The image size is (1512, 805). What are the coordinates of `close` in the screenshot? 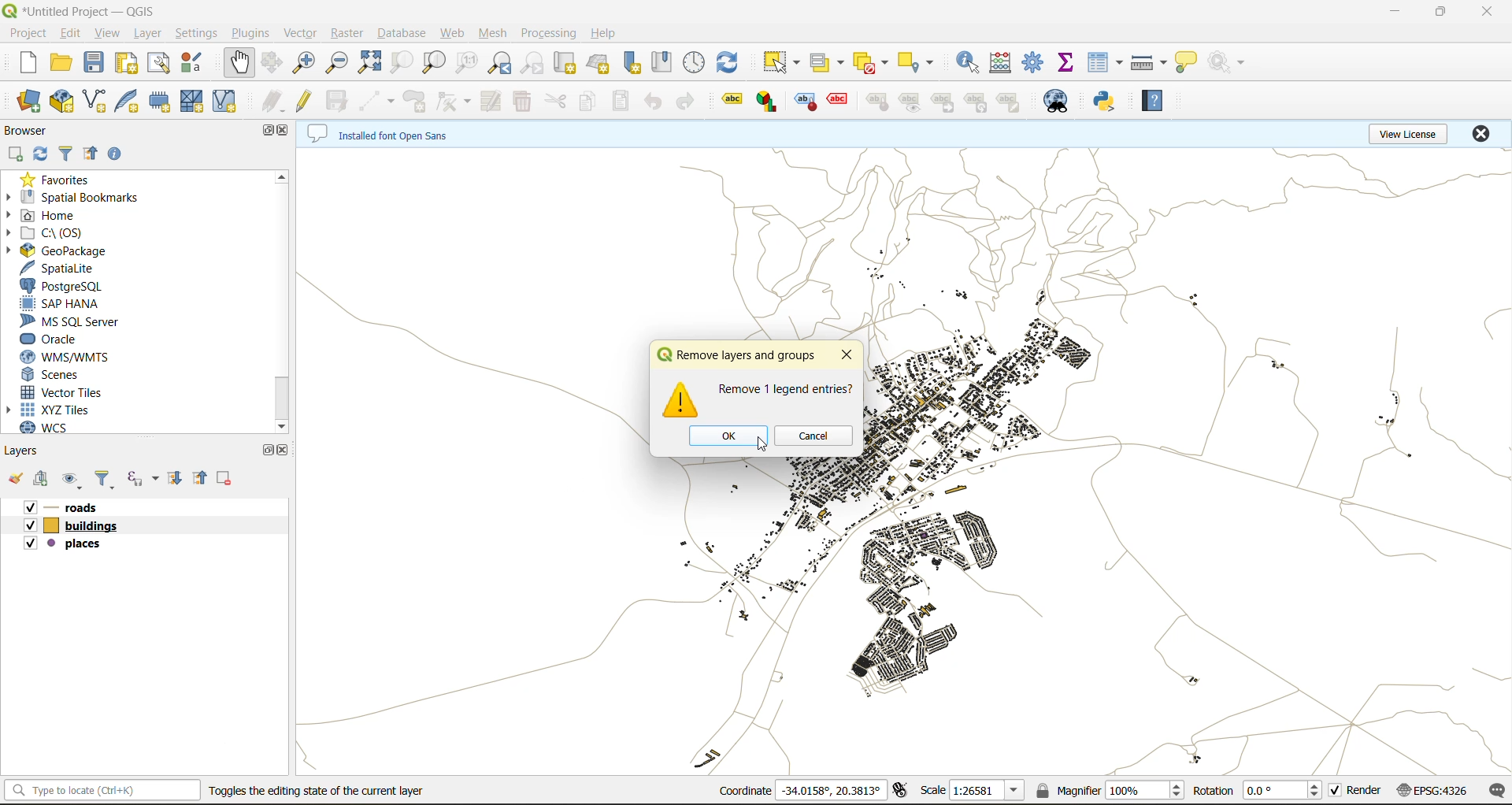 It's located at (848, 355).